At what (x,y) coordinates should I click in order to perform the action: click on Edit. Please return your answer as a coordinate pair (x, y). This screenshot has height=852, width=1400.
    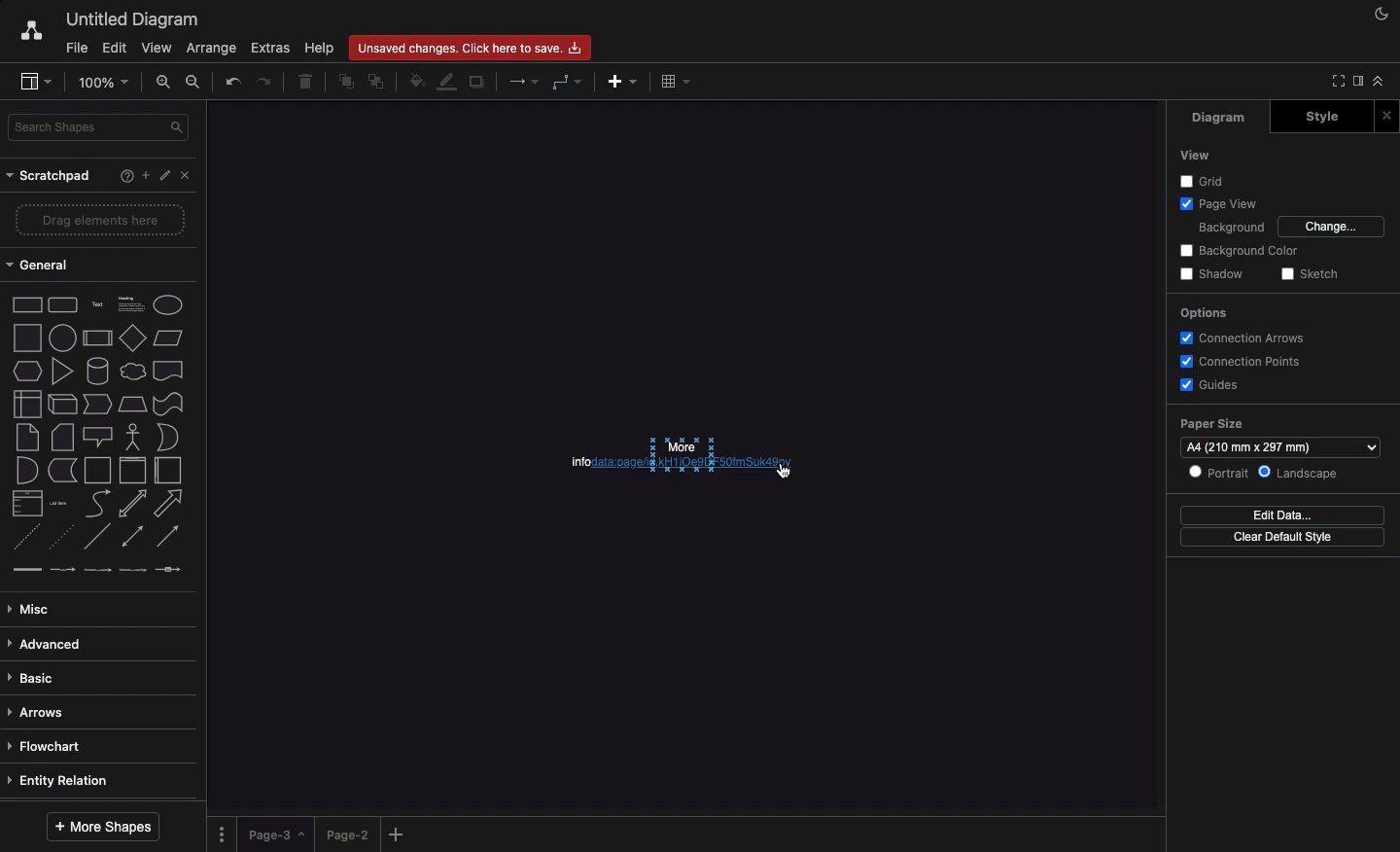
    Looking at the image, I should click on (166, 176).